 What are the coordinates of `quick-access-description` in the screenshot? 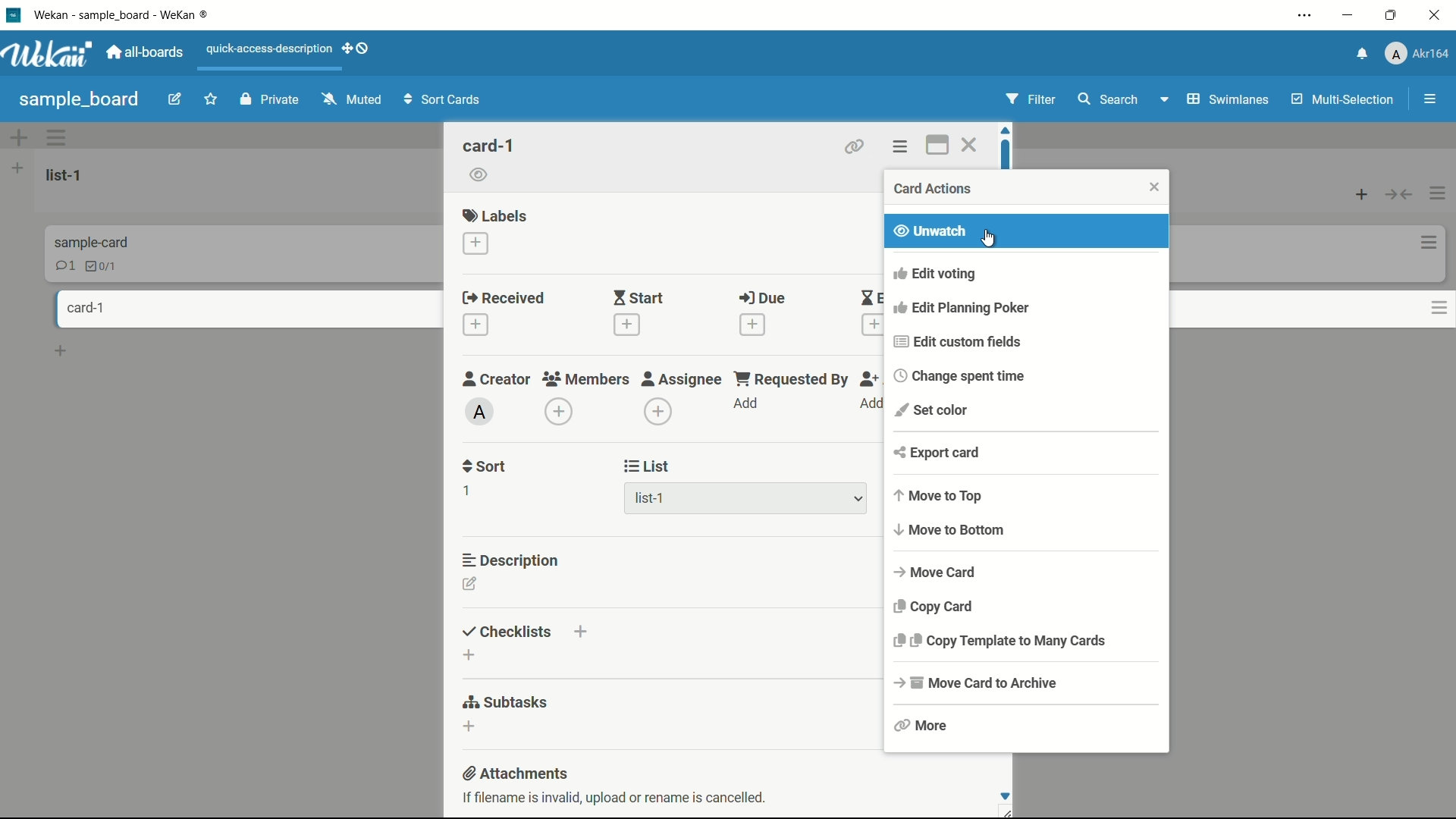 It's located at (266, 48).